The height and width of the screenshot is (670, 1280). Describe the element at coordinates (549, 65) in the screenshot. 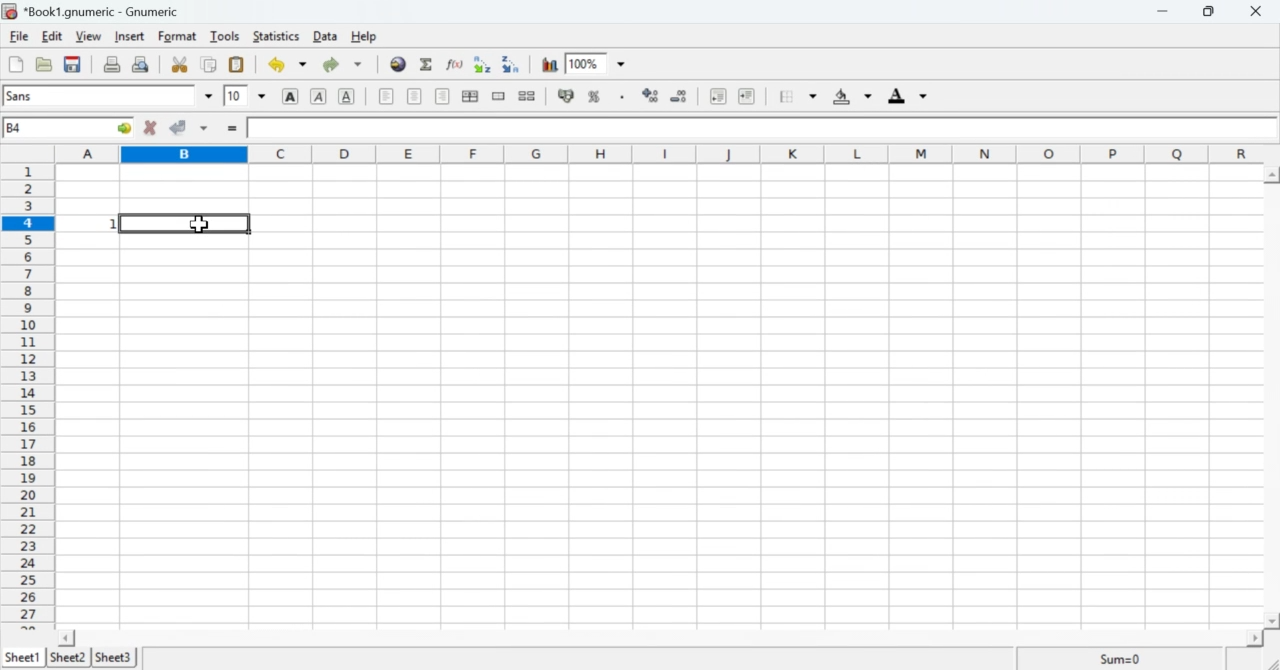

I see `Charts` at that location.